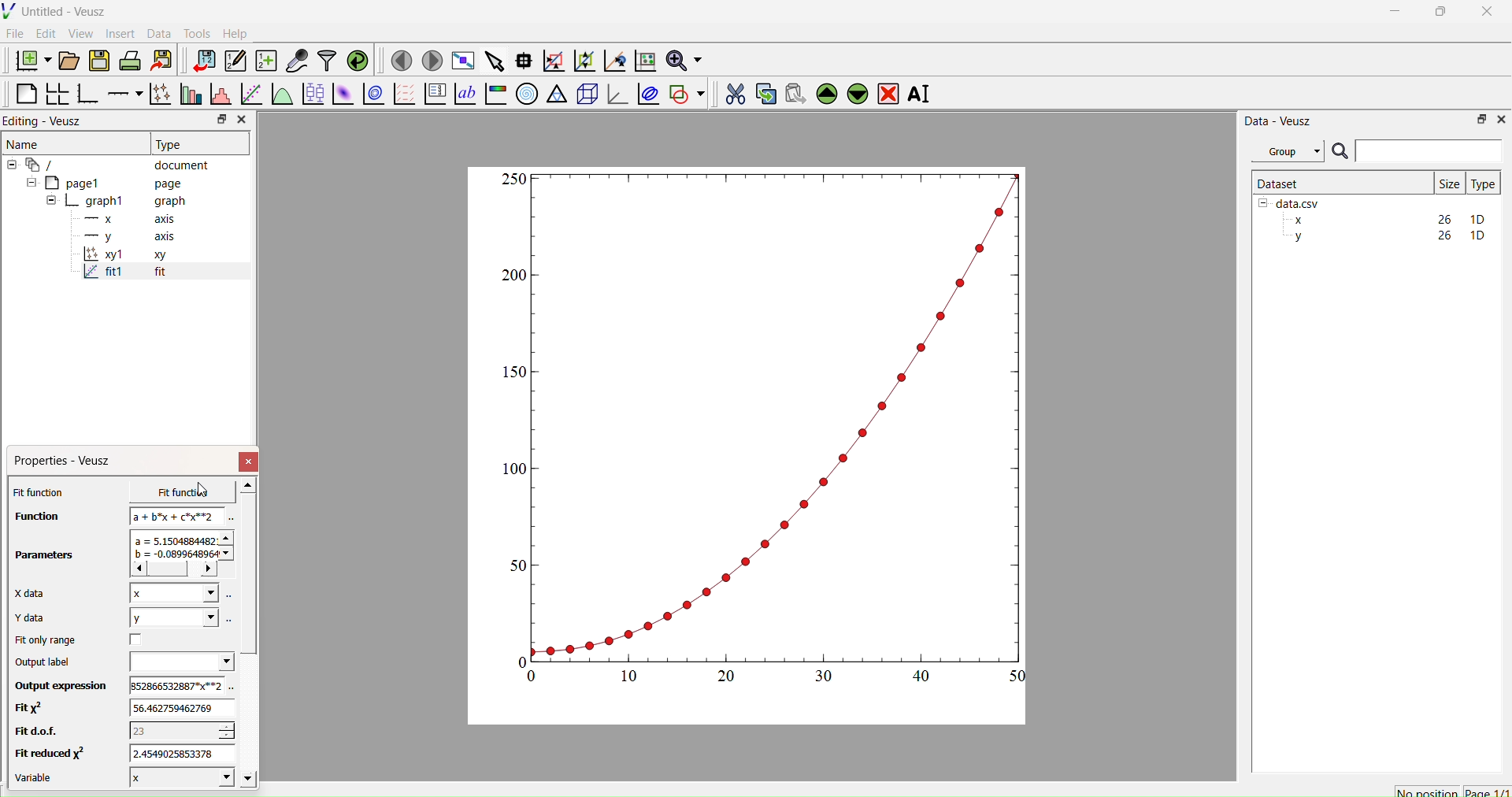  What do you see at coordinates (233, 61) in the screenshot?
I see `Edit or enter new dataset` at bounding box center [233, 61].